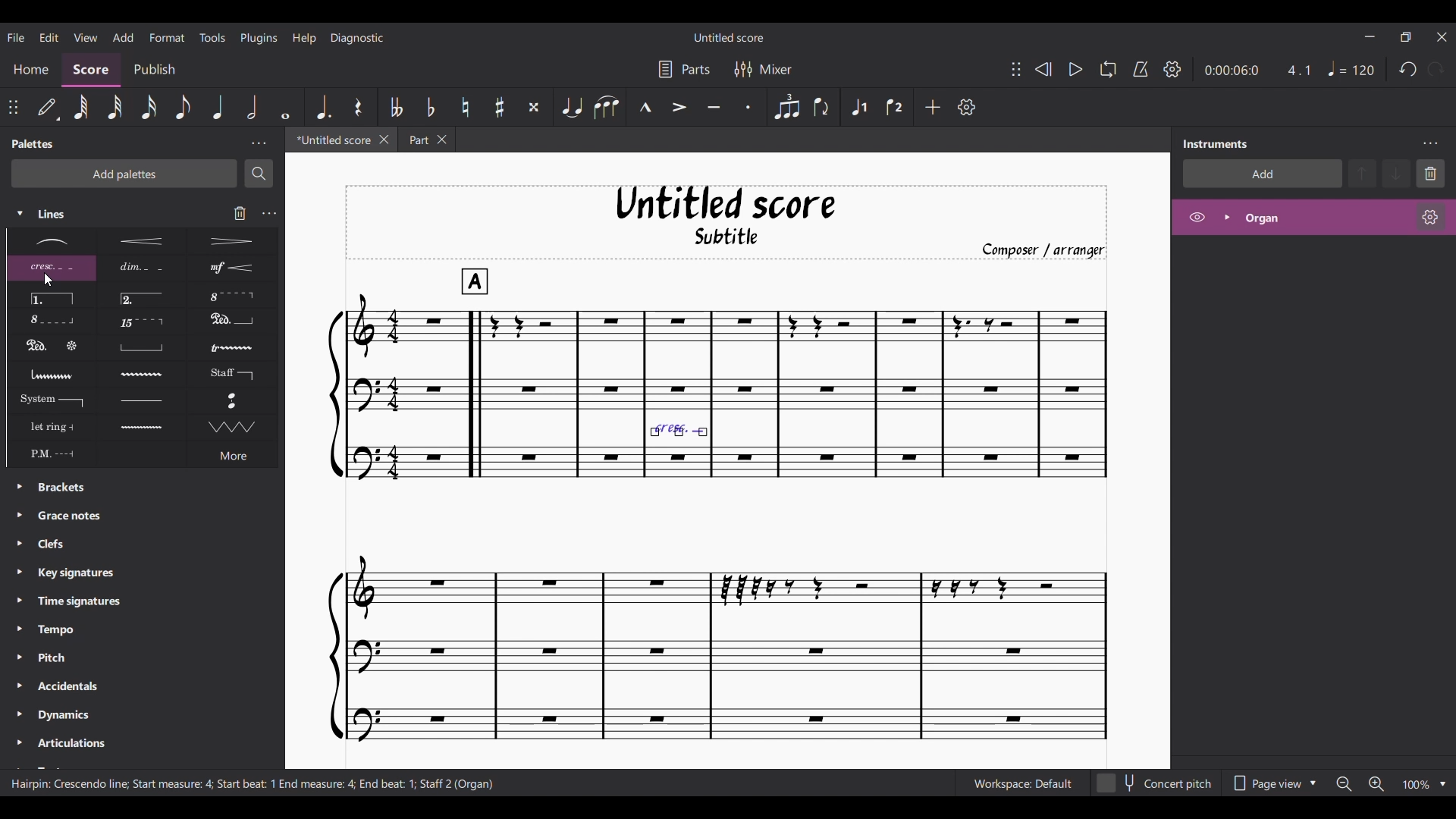 The height and width of the screenshot is (819, 1456). What do you see at coordinates (967, 107) in the screenshot?
I see `Customize toolbar` at bounding box center [967, 107].